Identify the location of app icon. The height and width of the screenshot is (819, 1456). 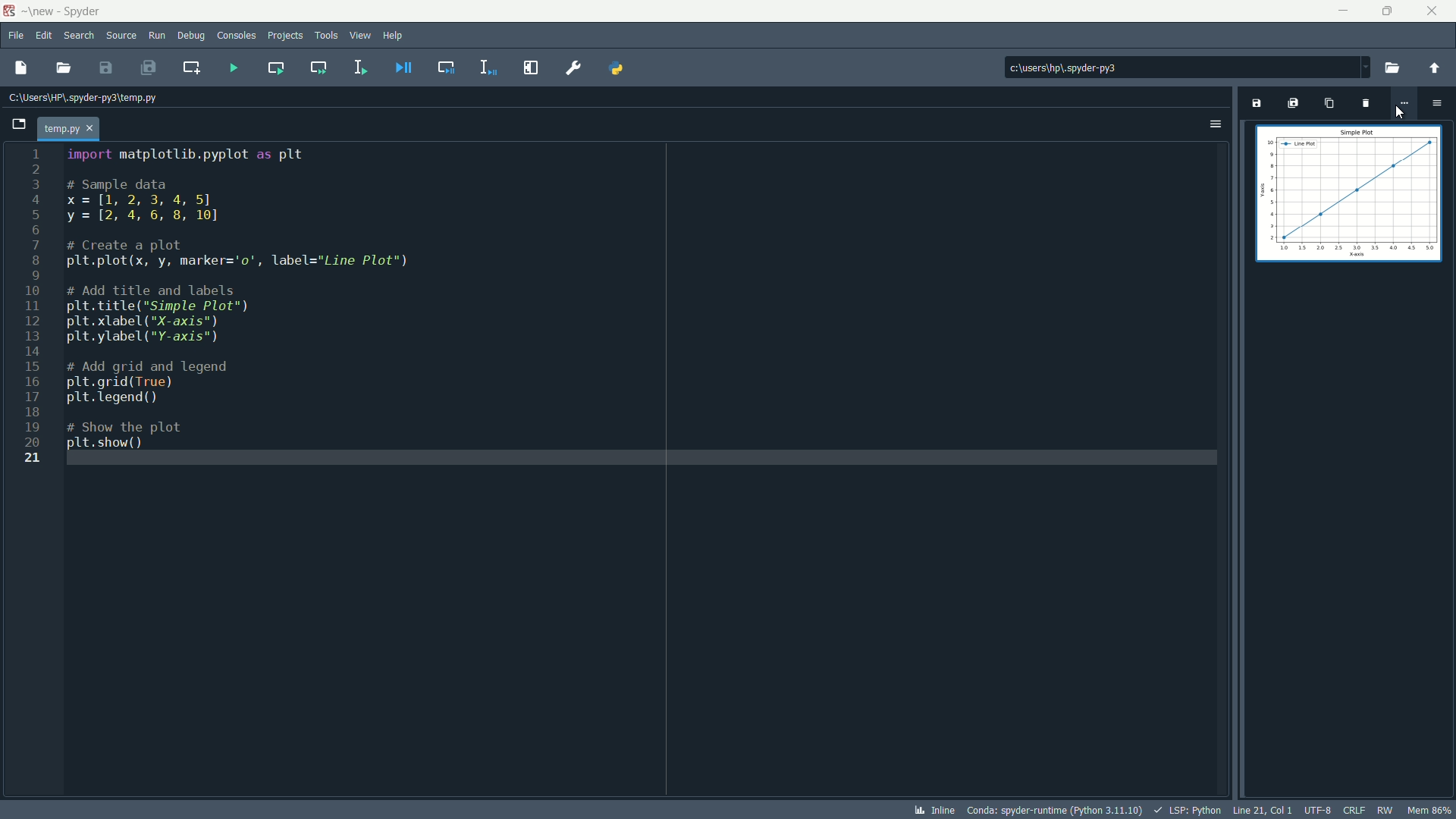
(9, 9).